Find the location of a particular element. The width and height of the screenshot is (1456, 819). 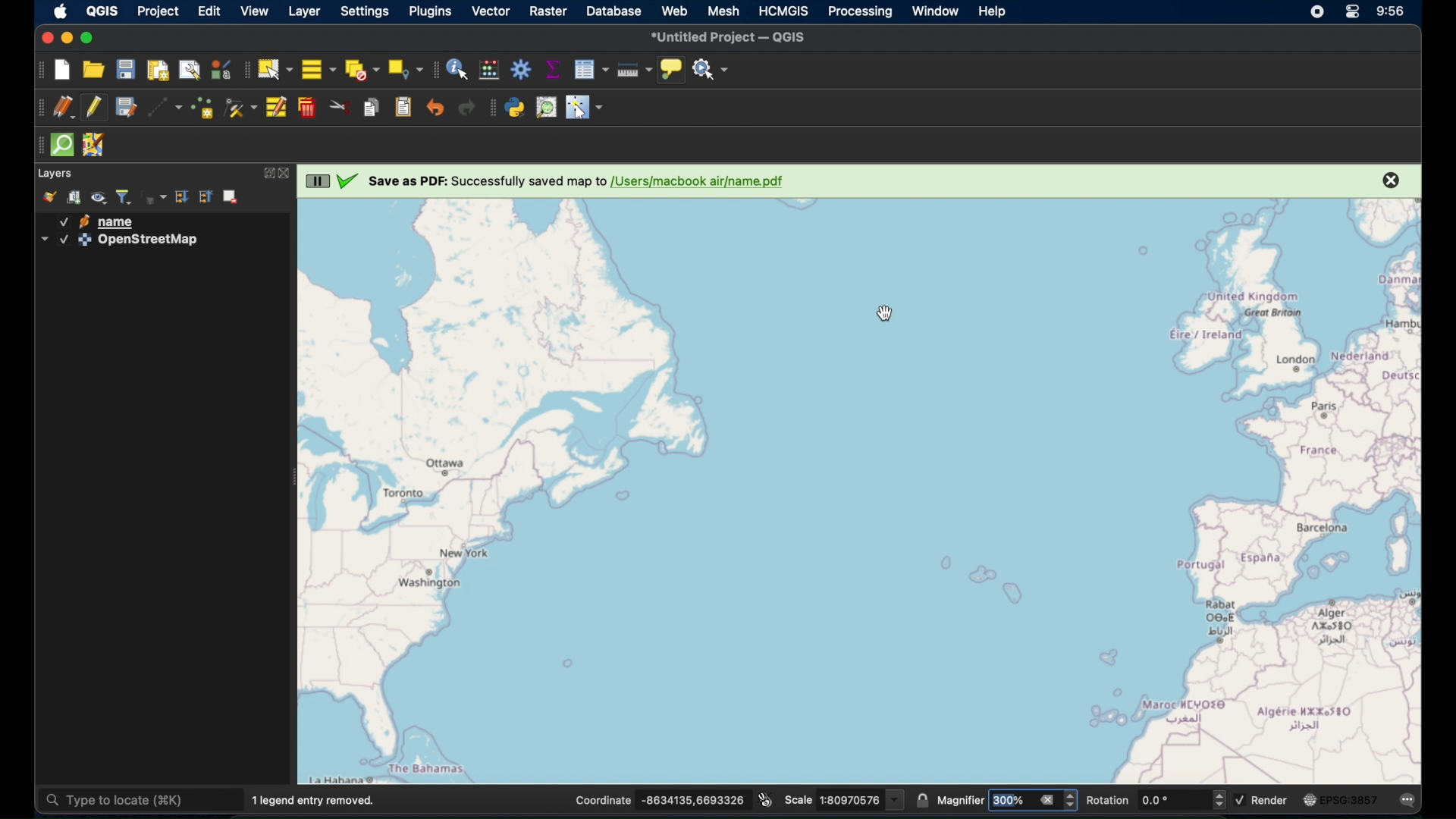

copy features is located at coordinates (372, 107).